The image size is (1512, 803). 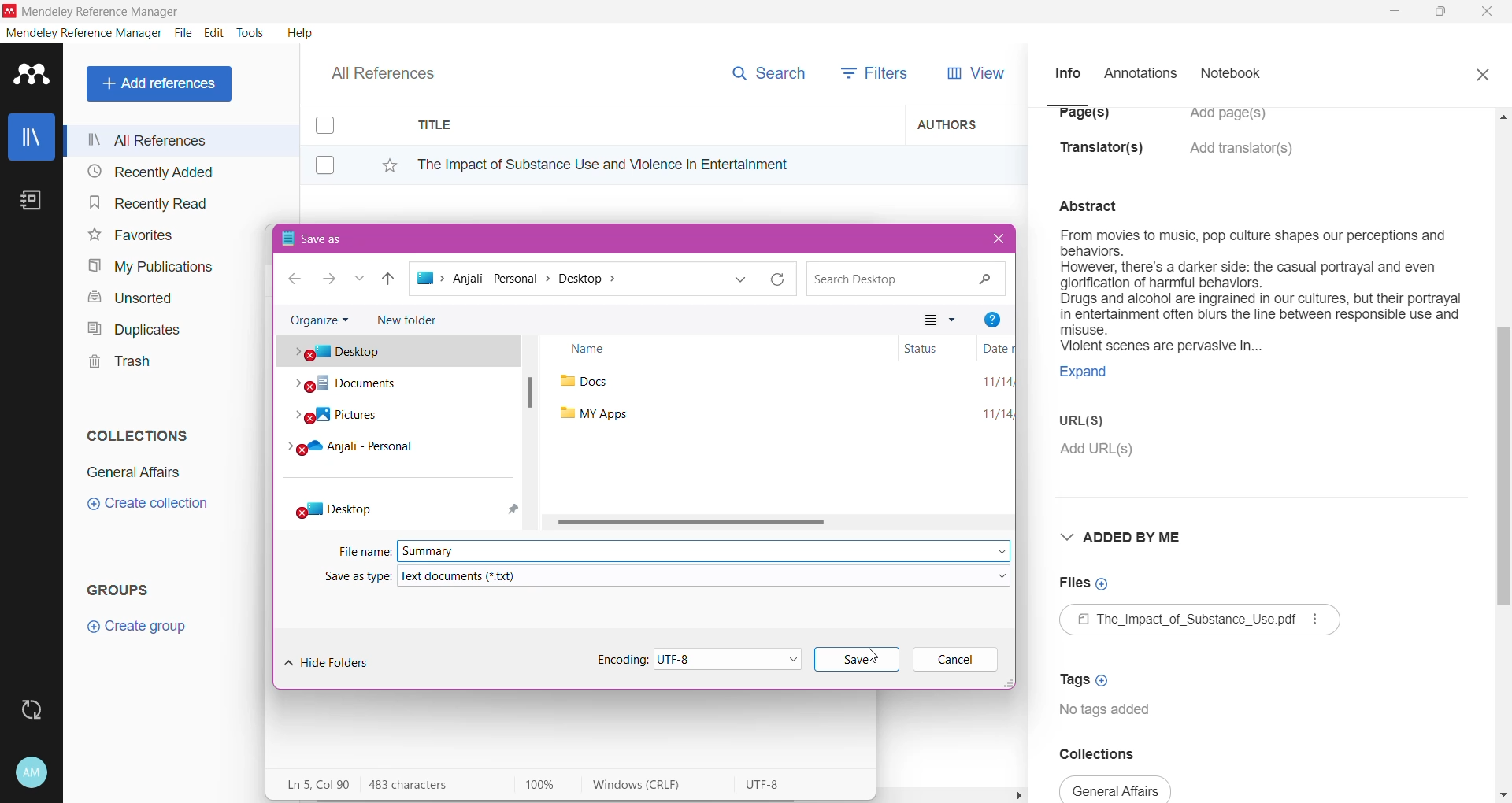 I want to click on Page(s), so click(x=1082, y=119).